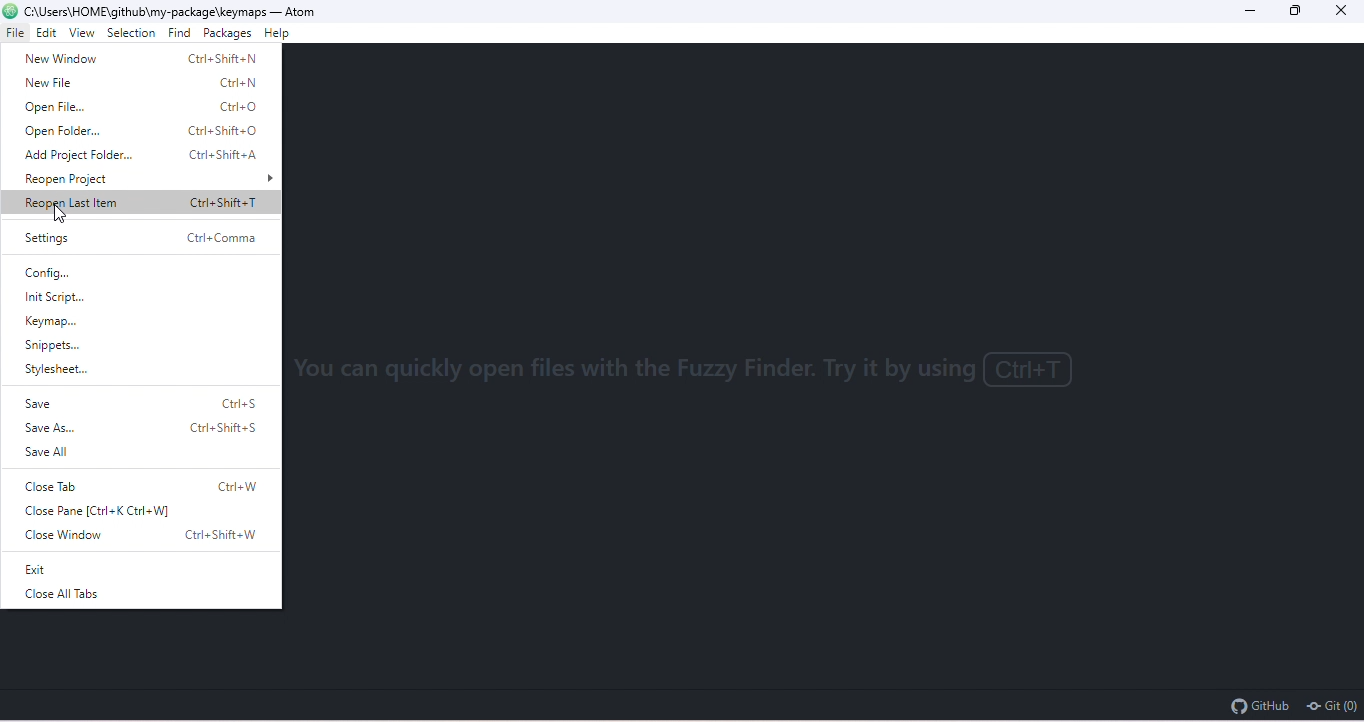  Describe the element at coordinates (9, 12) in the screenshot. I see `atom logo` at that location.